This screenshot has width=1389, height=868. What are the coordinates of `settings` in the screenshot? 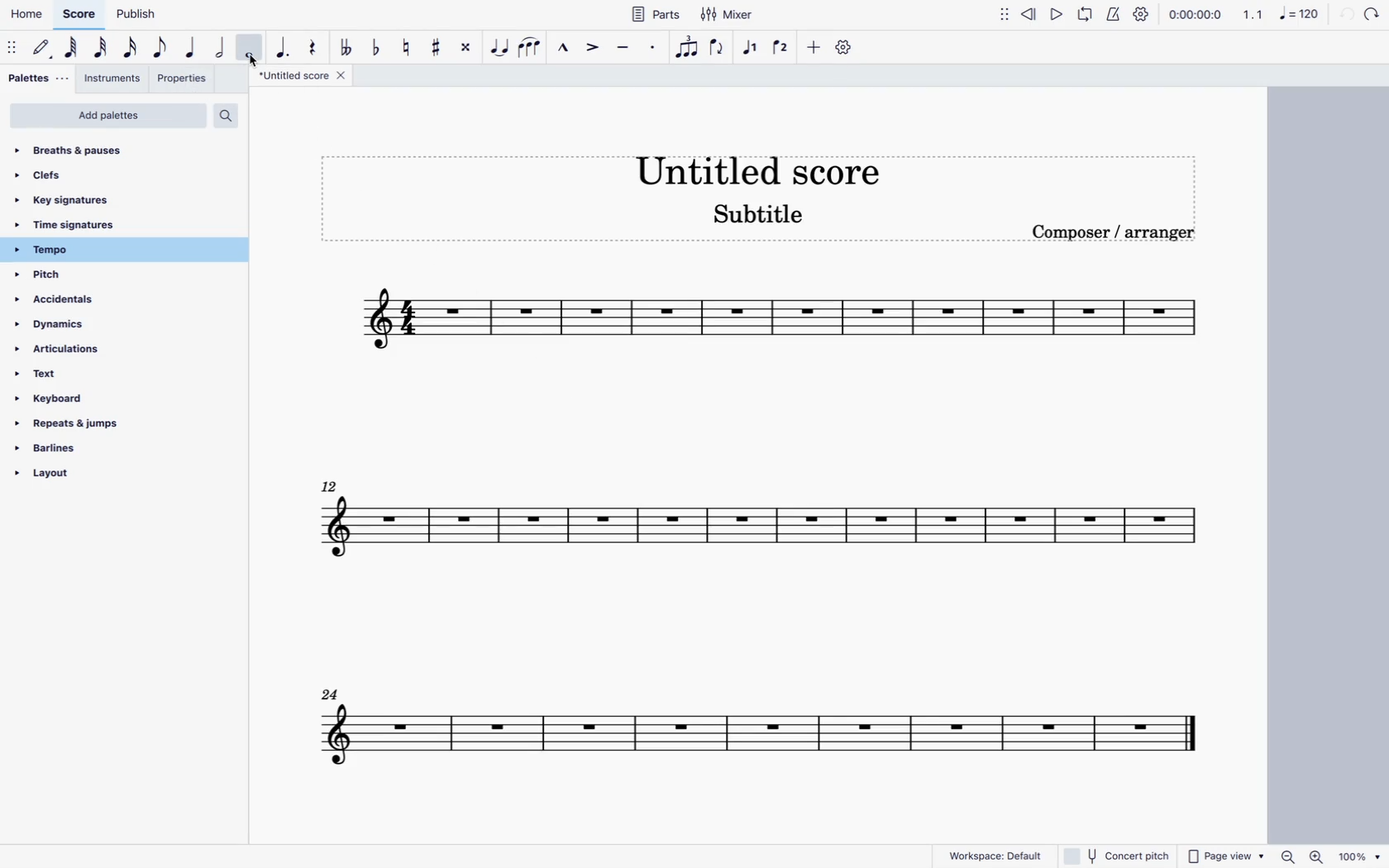 It's located at (1141, 14).